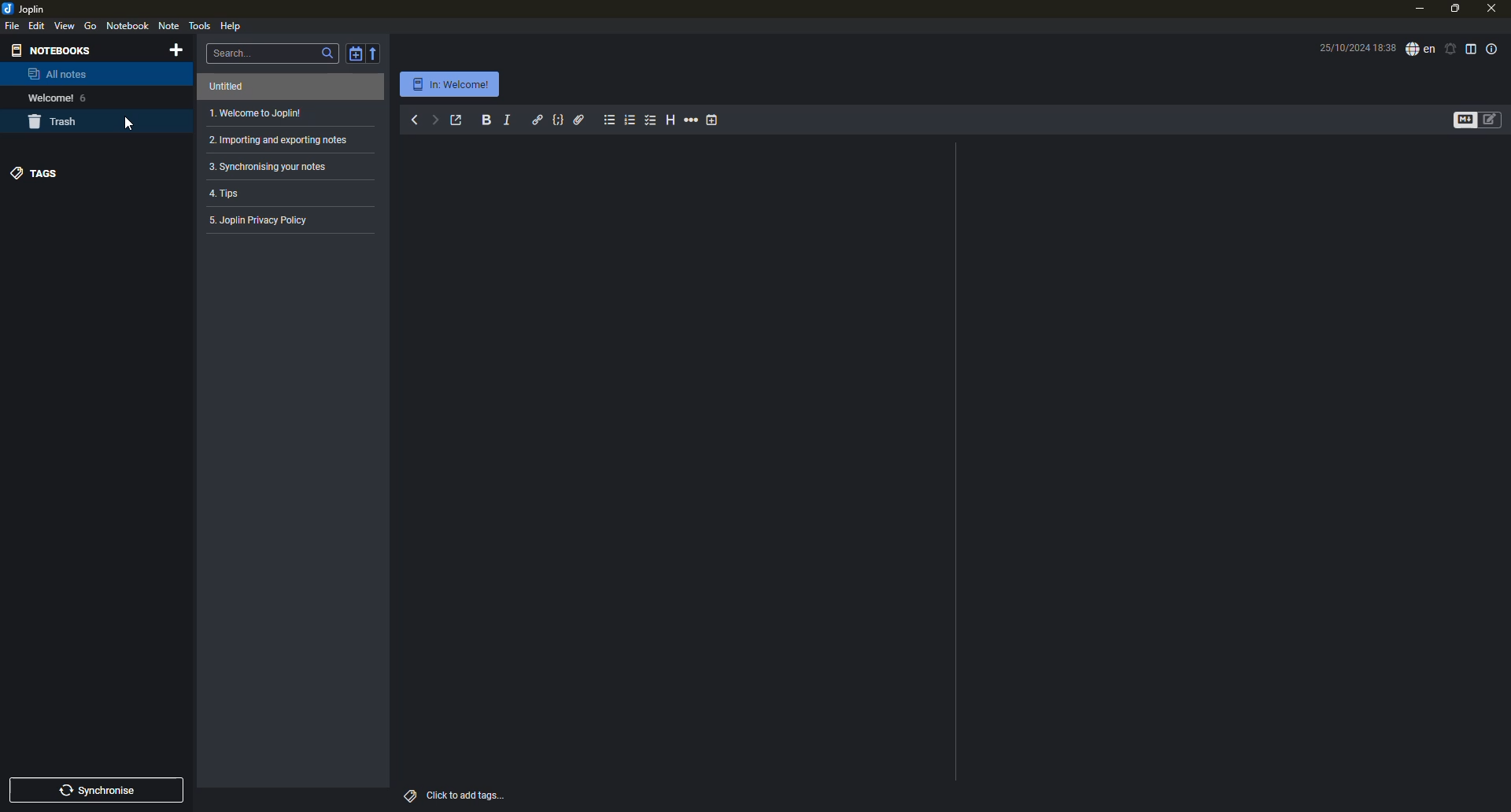 The height and width of the screenshot is (812, 1511). I want to click on 5. joplin privacy policy, so click(264, 222).